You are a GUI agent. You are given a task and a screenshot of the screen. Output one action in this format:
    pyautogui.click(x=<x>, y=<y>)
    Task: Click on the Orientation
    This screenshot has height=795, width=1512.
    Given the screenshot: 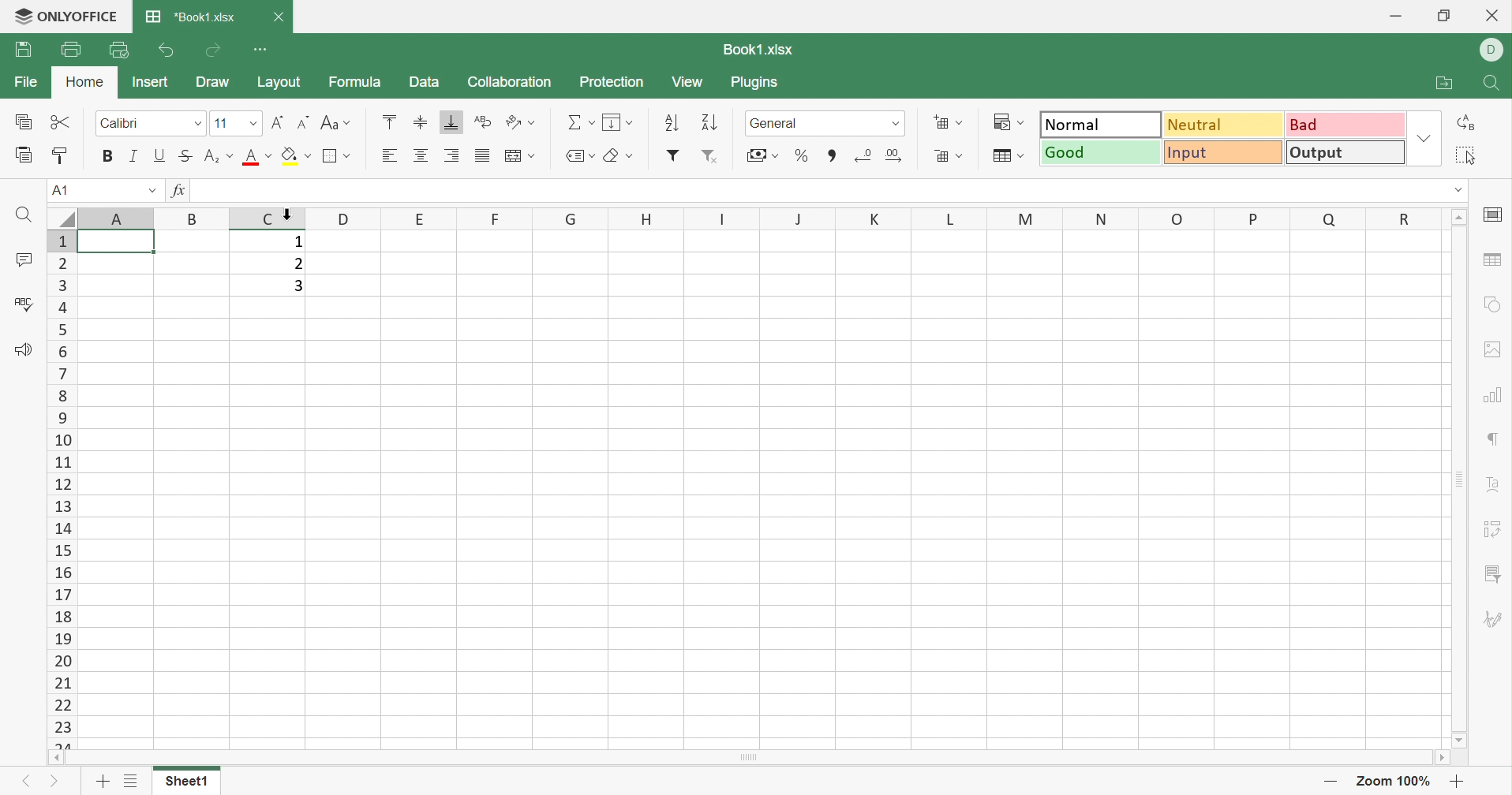 What is the action you would take?
    pyautogui.click(x=508, y=121)
    